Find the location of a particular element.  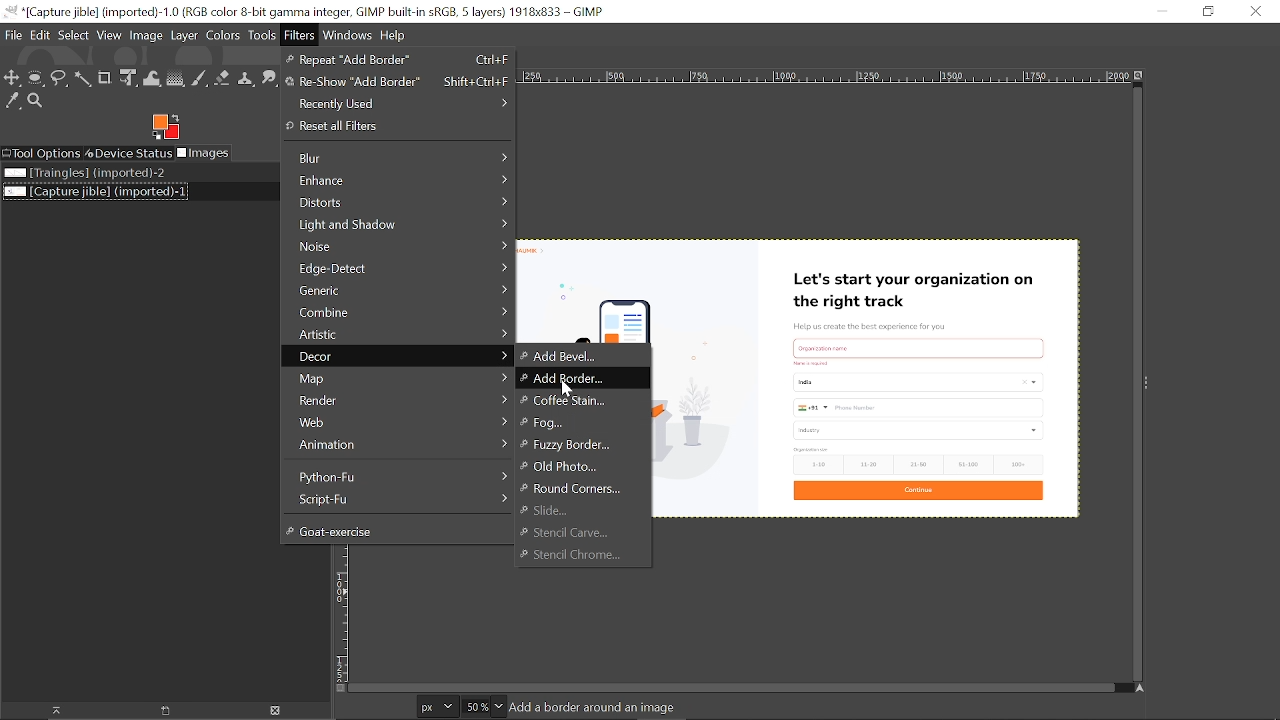

Select is located at coordinates (74, 36).